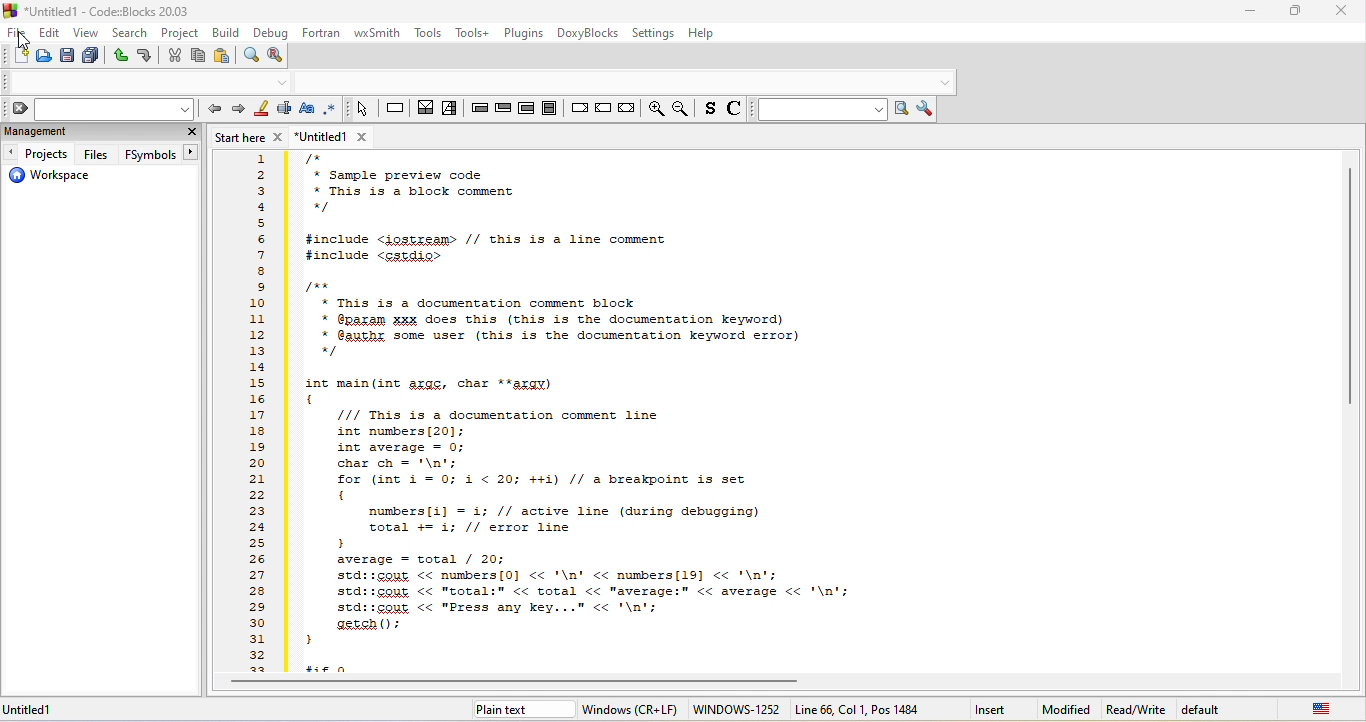  What do you see at coordinates (117, 56) in the screenshot?
I see `undo` at bounding box center [117, 56].